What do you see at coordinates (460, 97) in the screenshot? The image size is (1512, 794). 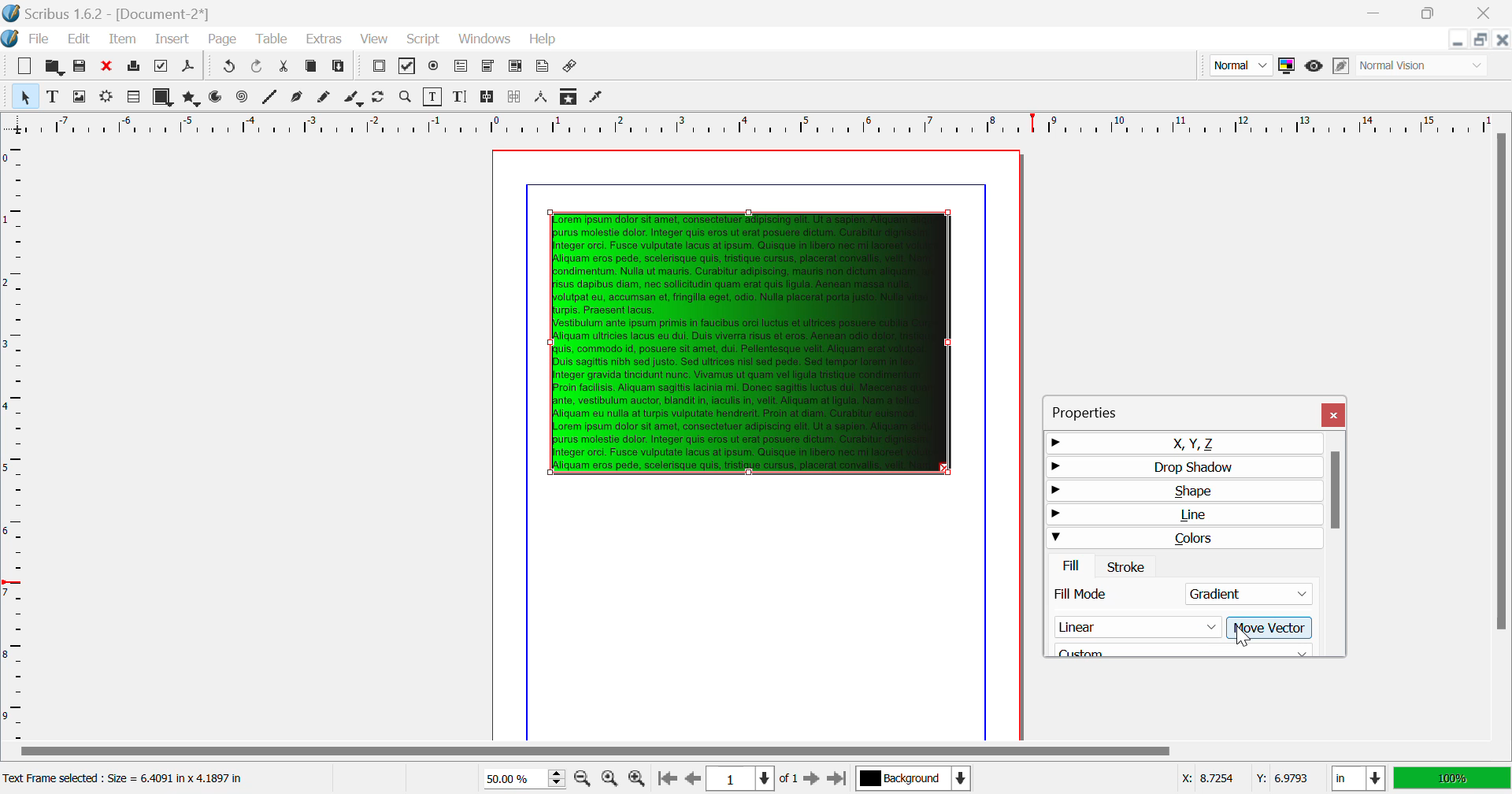 I see `Edit Text with Story Editor` at bounding box center [460, 97].